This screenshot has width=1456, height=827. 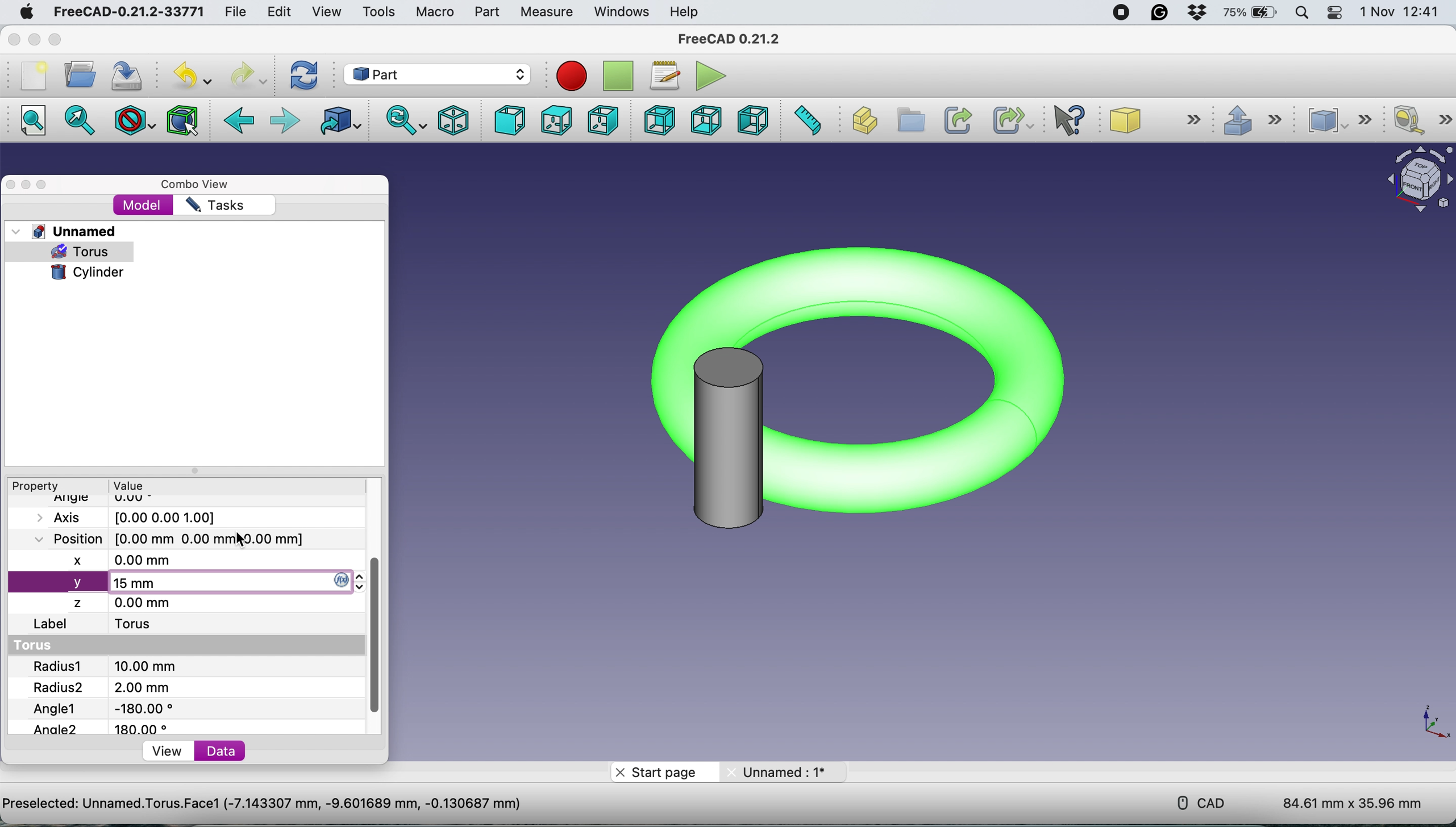 What do you see at coordinates (706, 120) in the screenshot?
I see `bottom` at bounding box center [706, 120].